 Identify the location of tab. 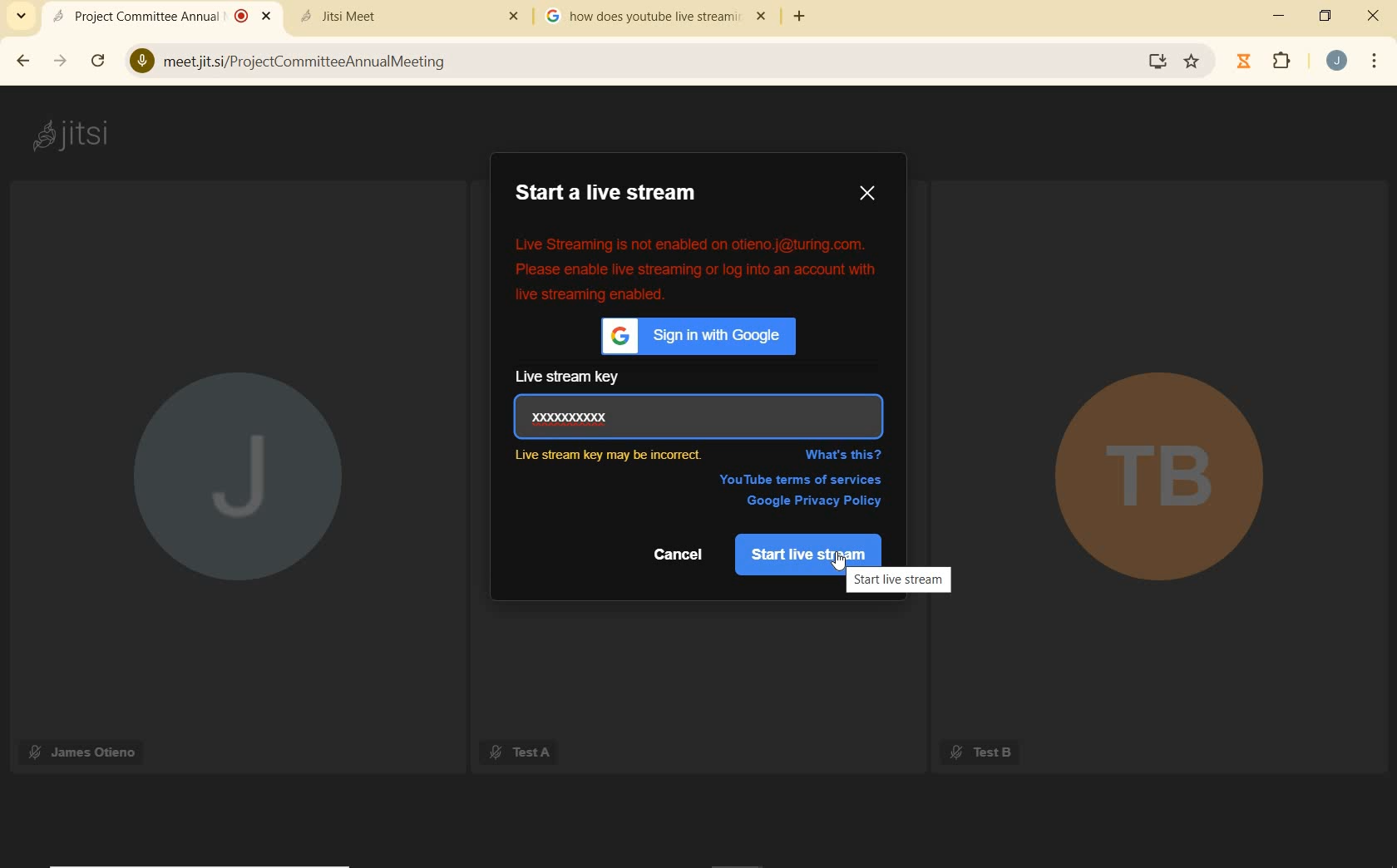
(388, 16).